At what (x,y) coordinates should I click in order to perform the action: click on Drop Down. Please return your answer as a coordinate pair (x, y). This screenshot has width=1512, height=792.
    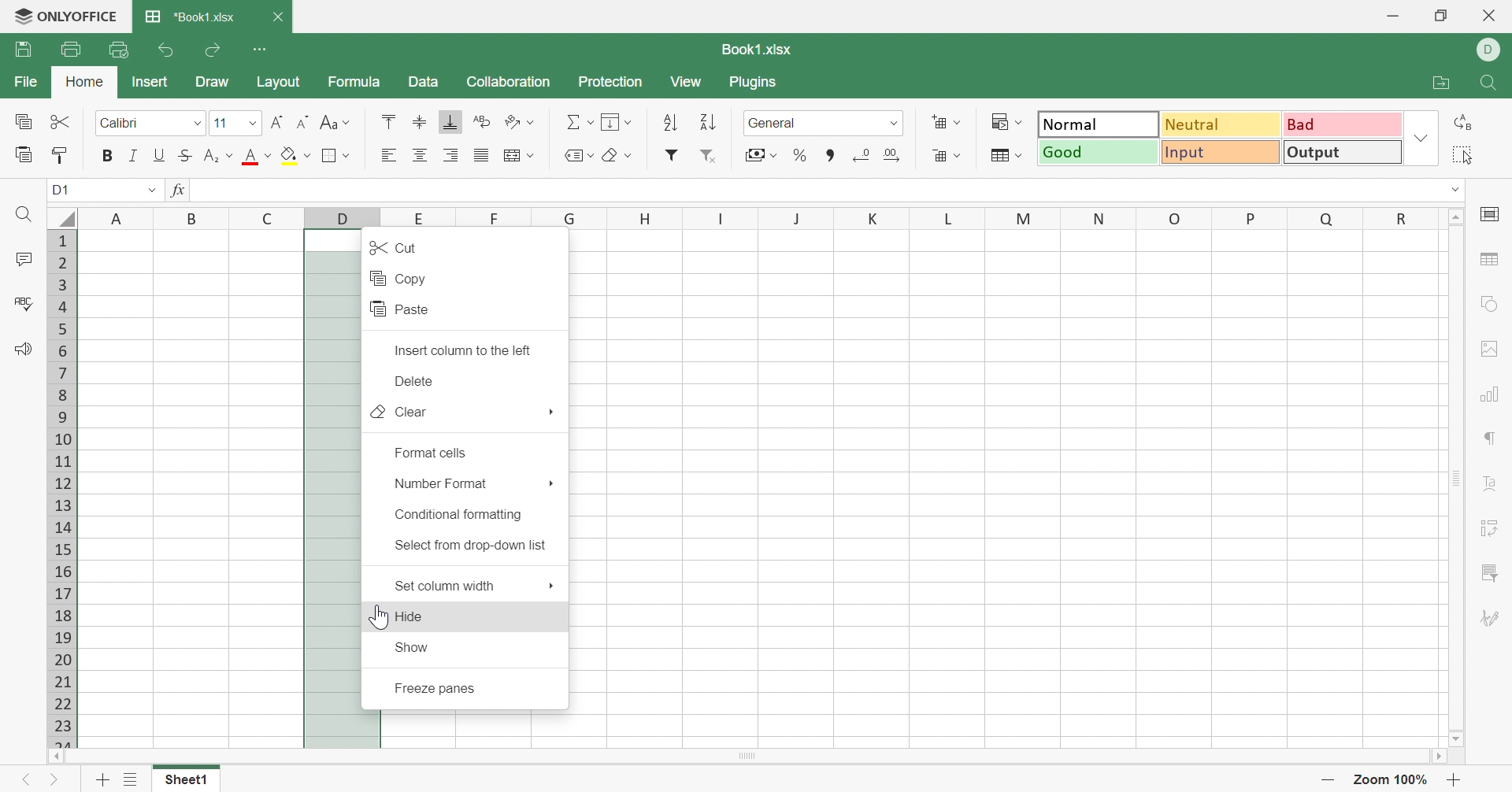
    Looking at the image, I should click on (1021, 154).